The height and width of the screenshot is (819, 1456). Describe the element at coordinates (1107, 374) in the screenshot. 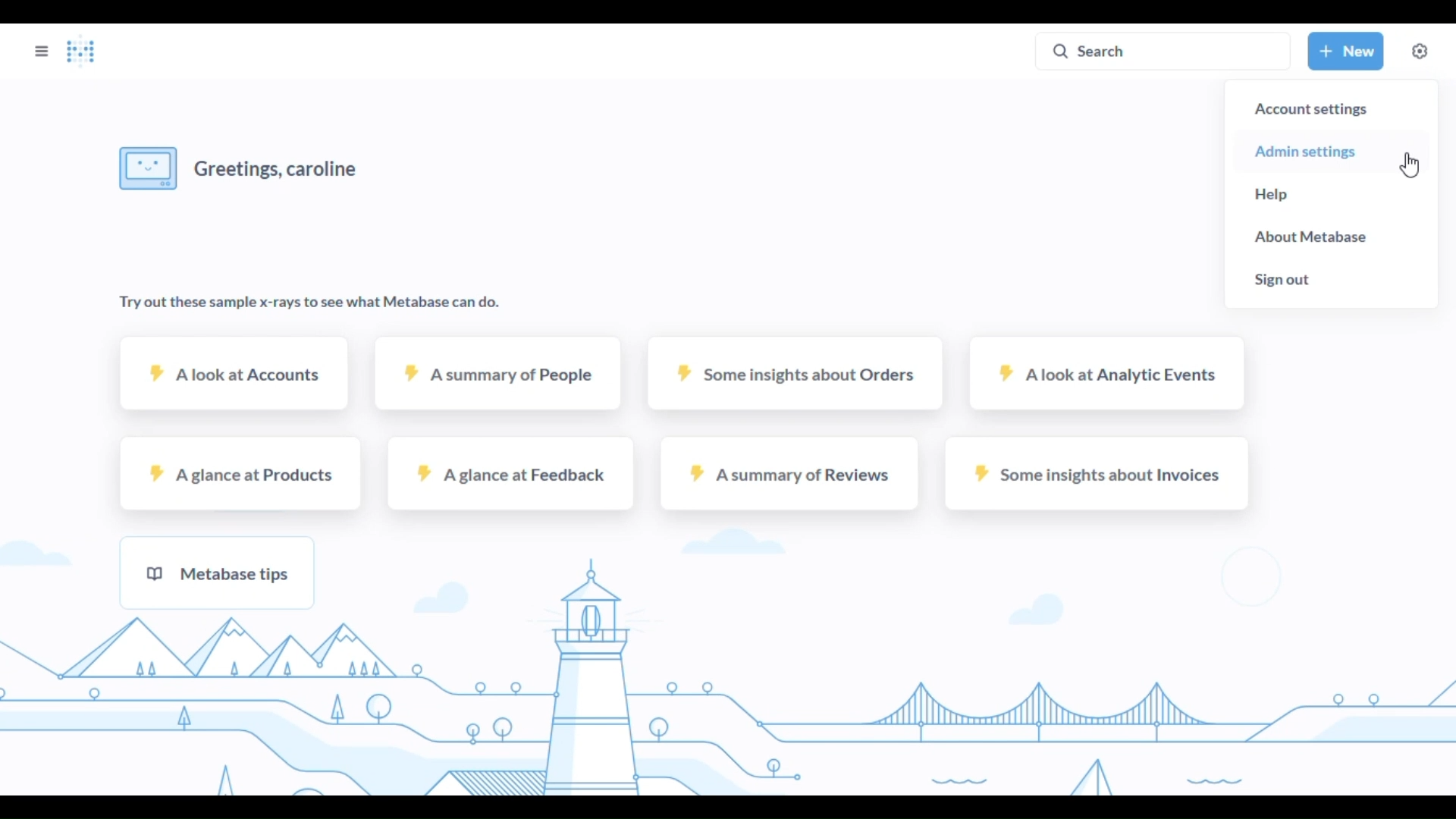

I see `a look at analytic events` at that location.